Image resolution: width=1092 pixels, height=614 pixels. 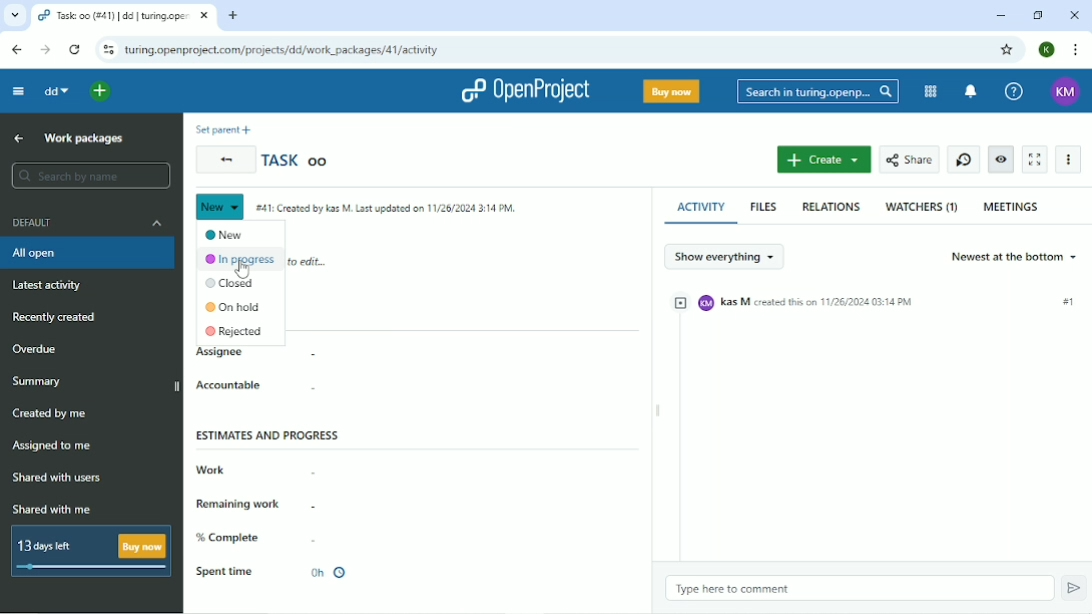 What do you see at coordinates (242, 505) in the screenshot?
I see `Remaining work` at bounding box center [242, 505].